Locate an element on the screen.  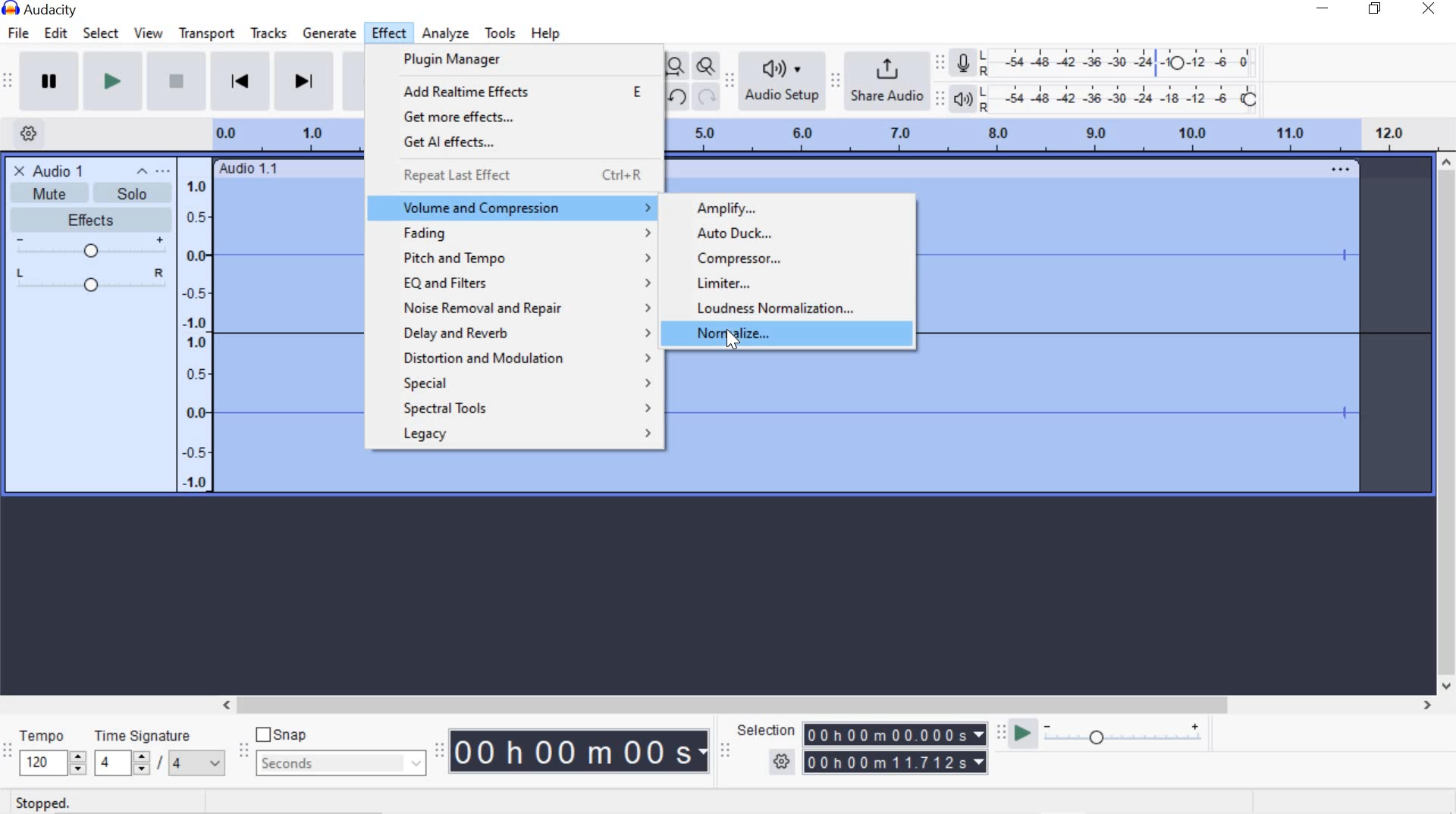
STOPPED is located at coordinates (42, 803).